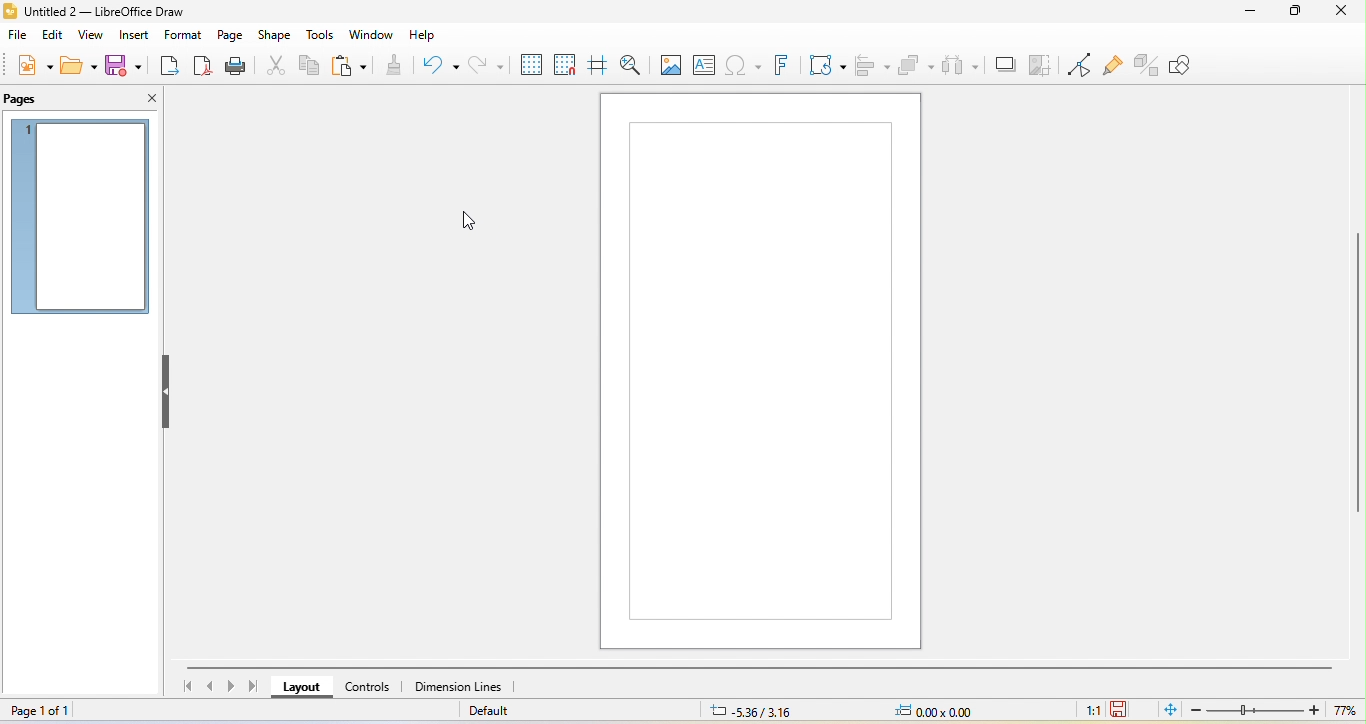  What do you see at coordinates (1195, 65) in the screenshot?
I see `show draw function` at bounding box center [1195, 65].